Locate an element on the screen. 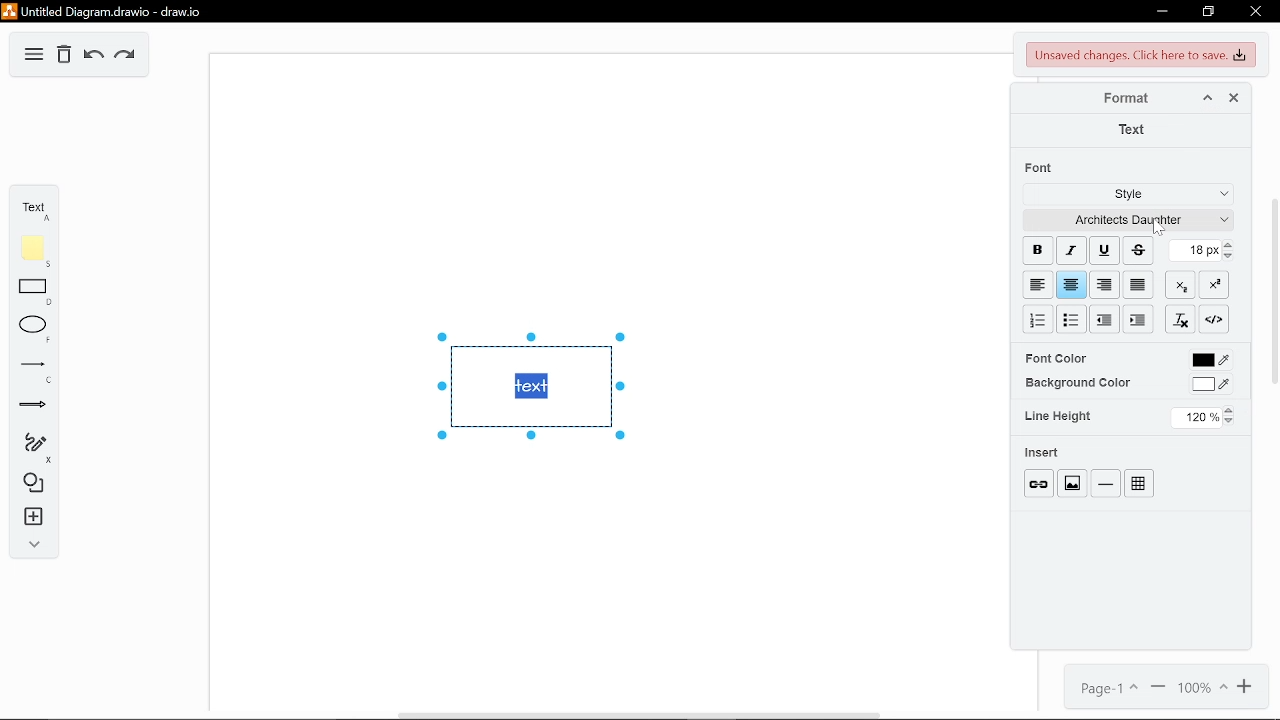 This screenshot has height=720, width=1280. html is located at coordinates (1214, 319).